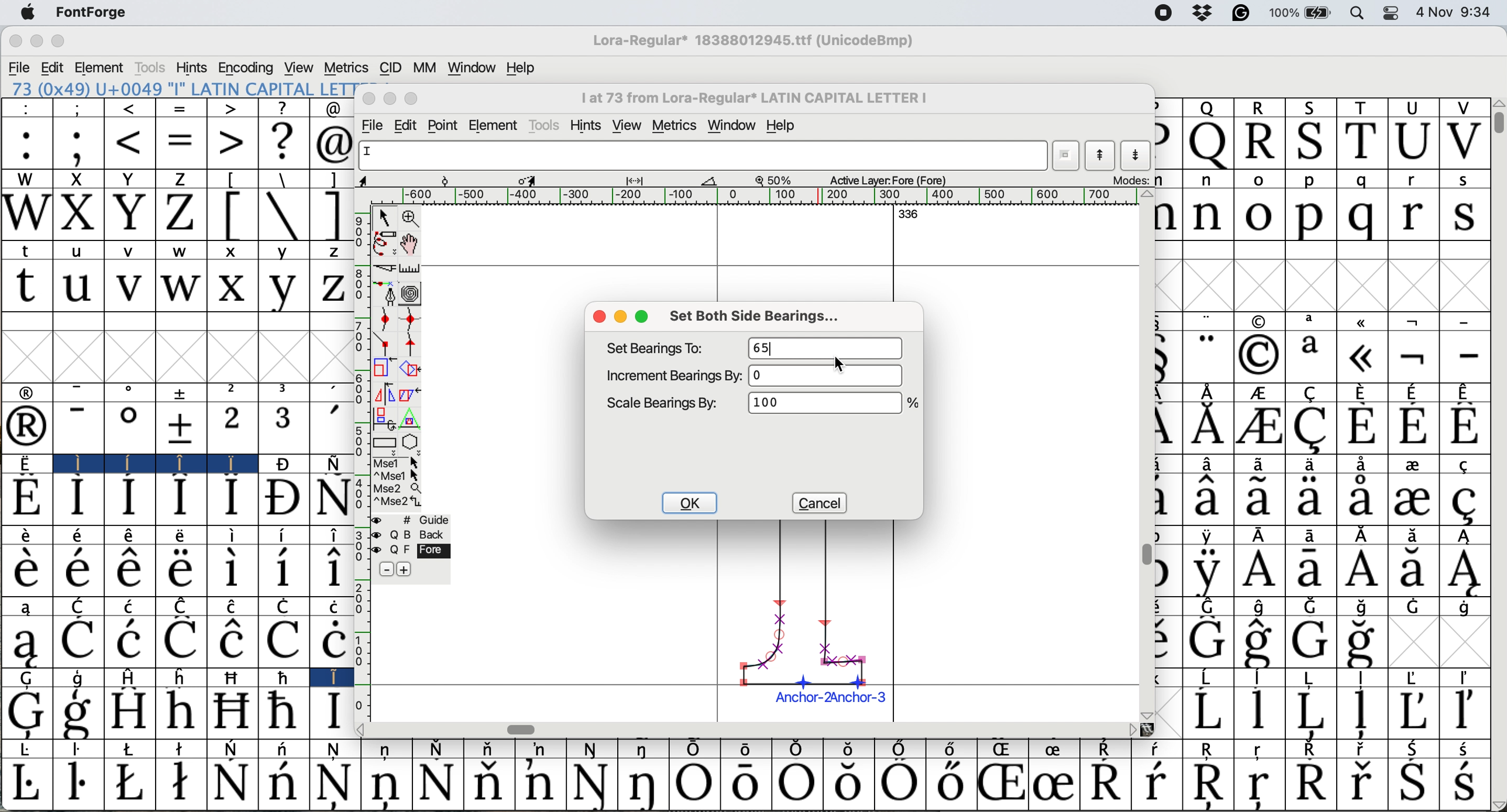 Image resolution: width=1507 pixels, height=812 pixels. What do you see at coordinates (539, 783) in the screenshot?
I see `Symbol` at bounding box center [539, 783].